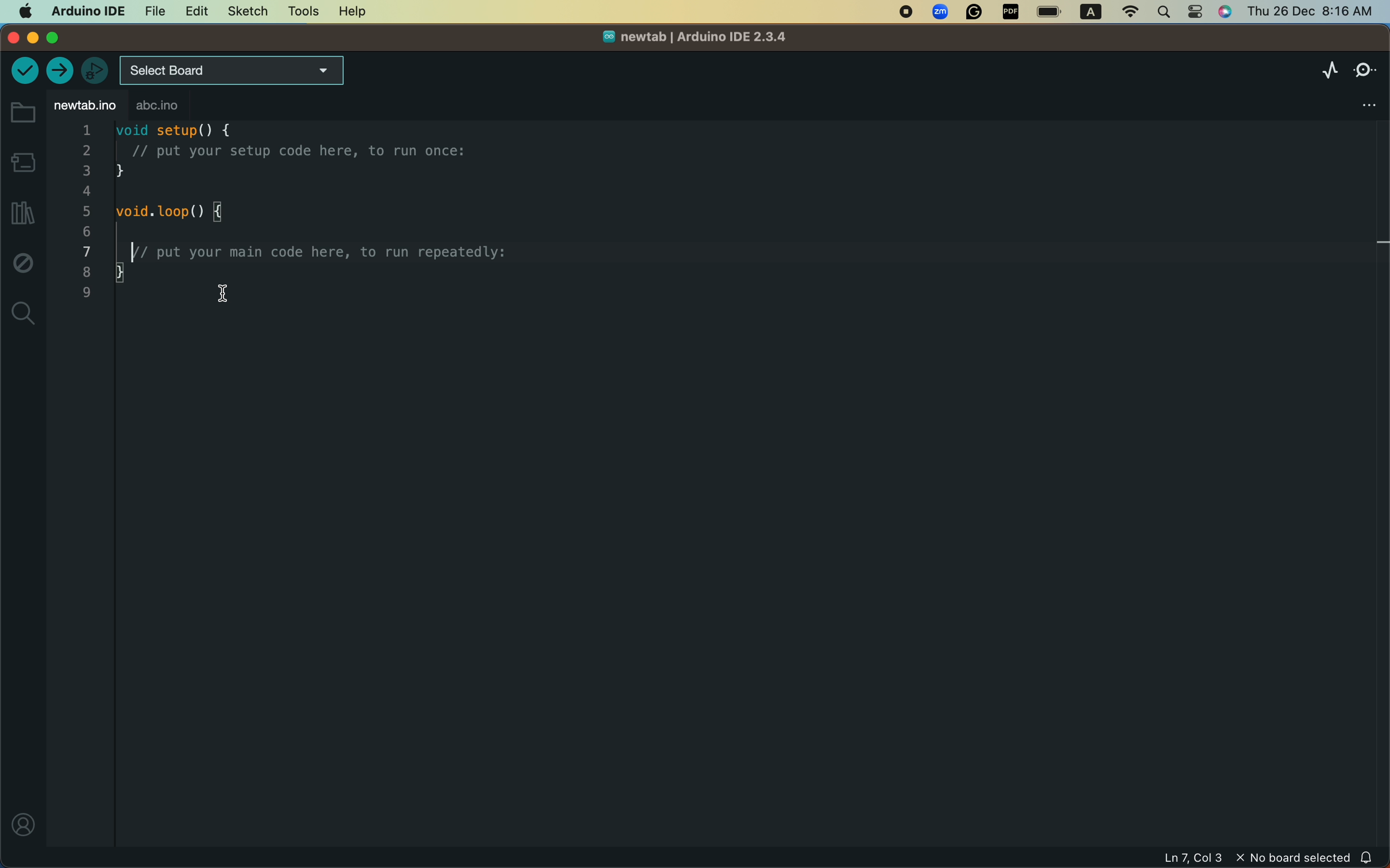 This screenshot has height=868, width=1390. What do you see at coordinates (22, 113) in the screenshot?
I see `folder` at bounding box center [22, 113].